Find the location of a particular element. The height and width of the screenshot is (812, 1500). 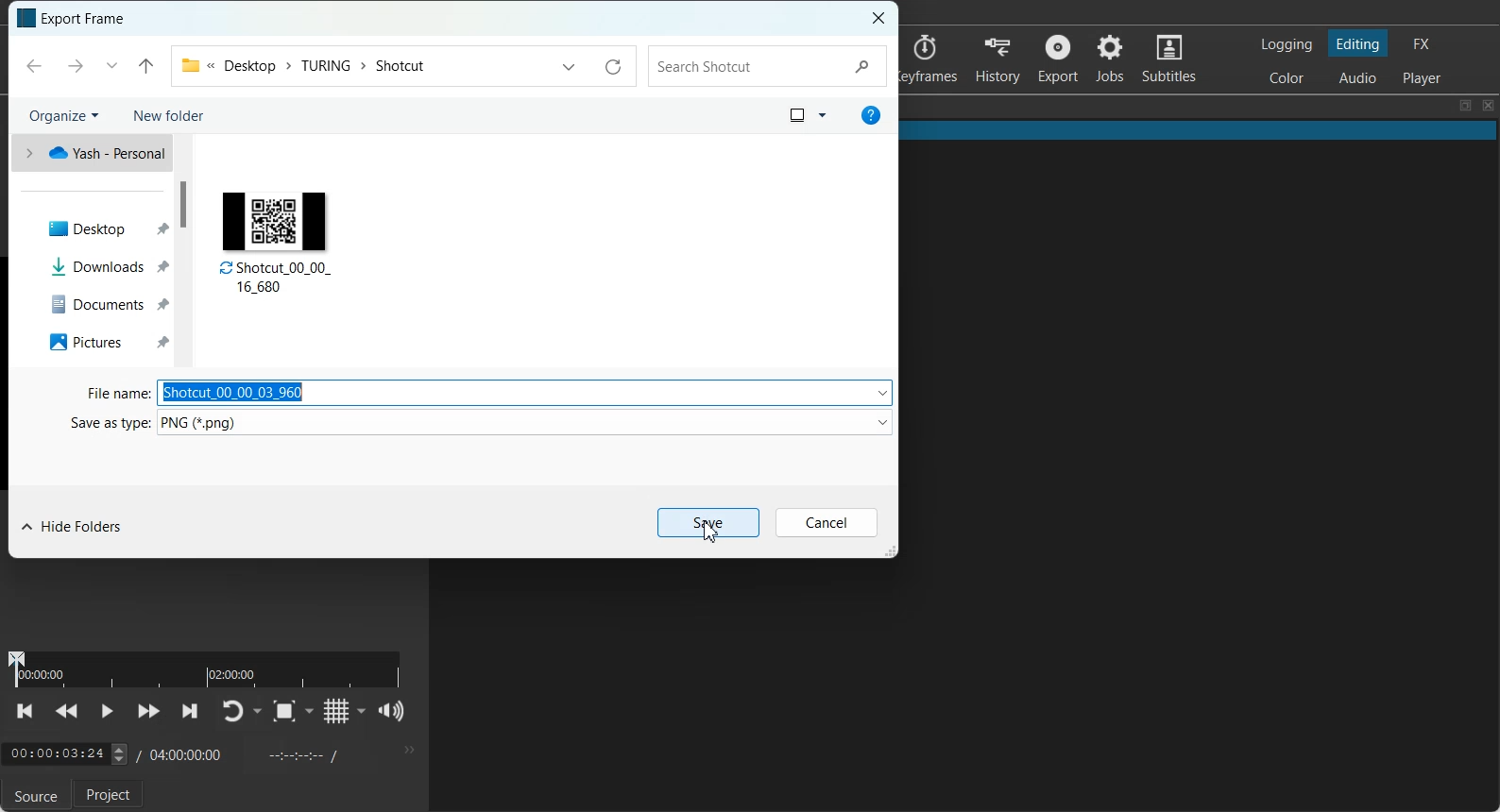

Switching to Player Only Layout is located at coordinates (1424, 77).